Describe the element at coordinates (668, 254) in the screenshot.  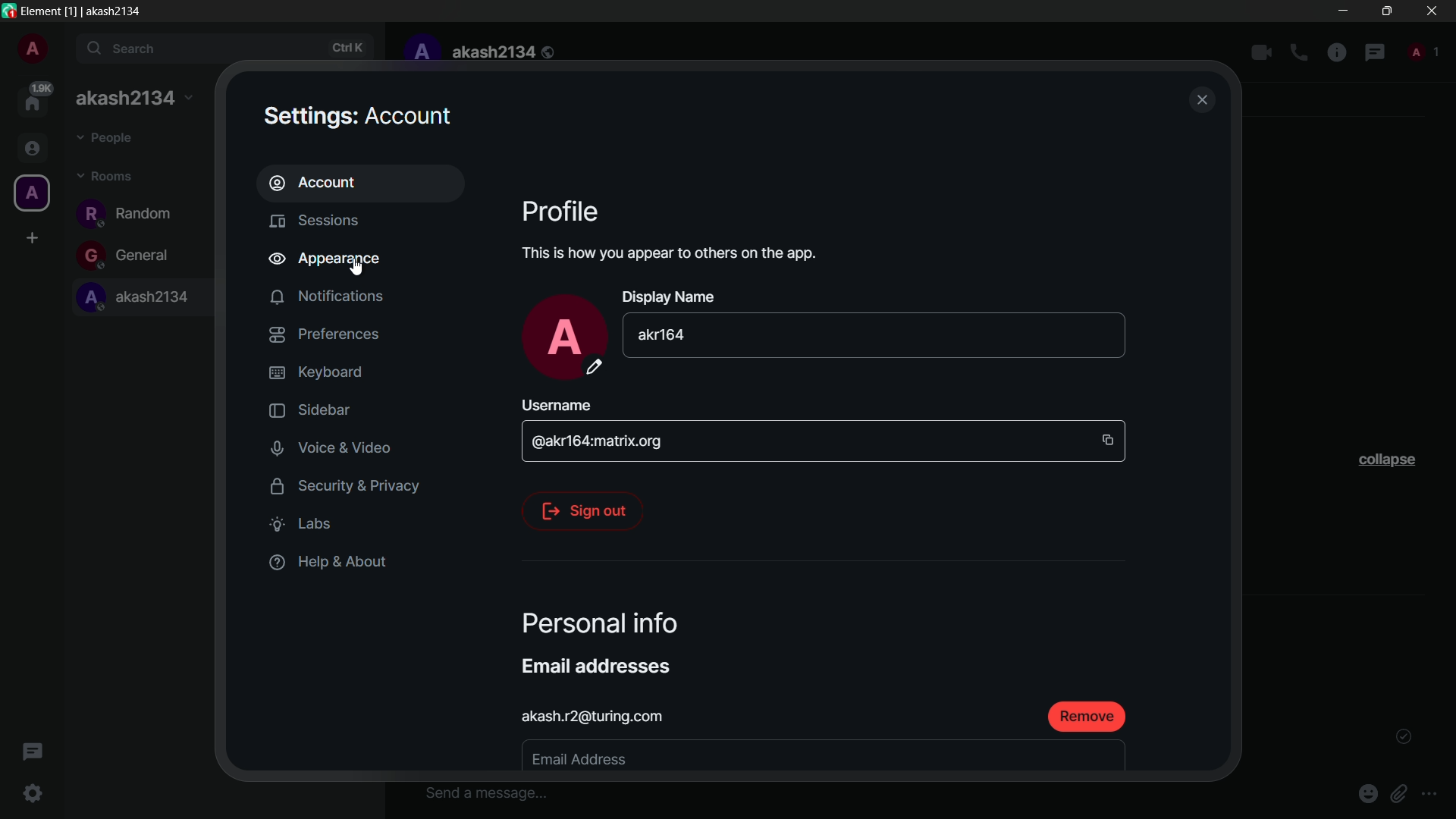
I see `This is how you appear to others on the app.` at that location.